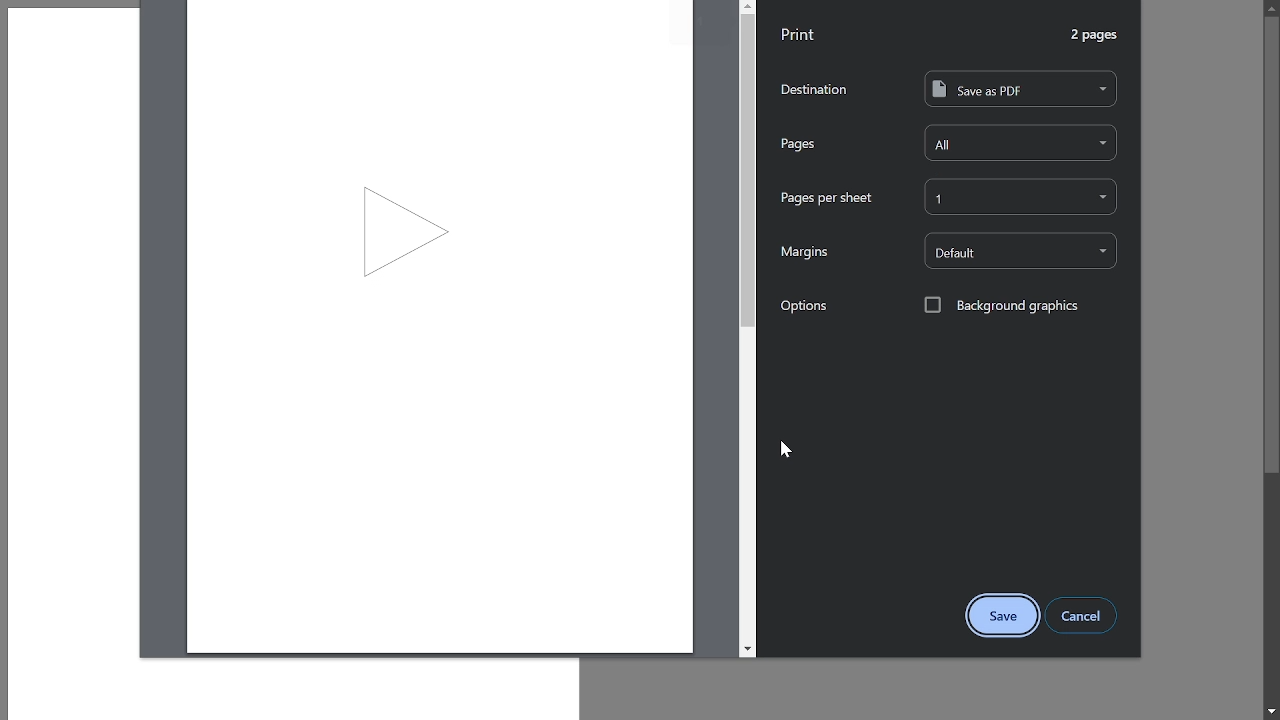 This screenshot has width=1280, height=720. I want to click on pages to save options, so click(1021, 142).